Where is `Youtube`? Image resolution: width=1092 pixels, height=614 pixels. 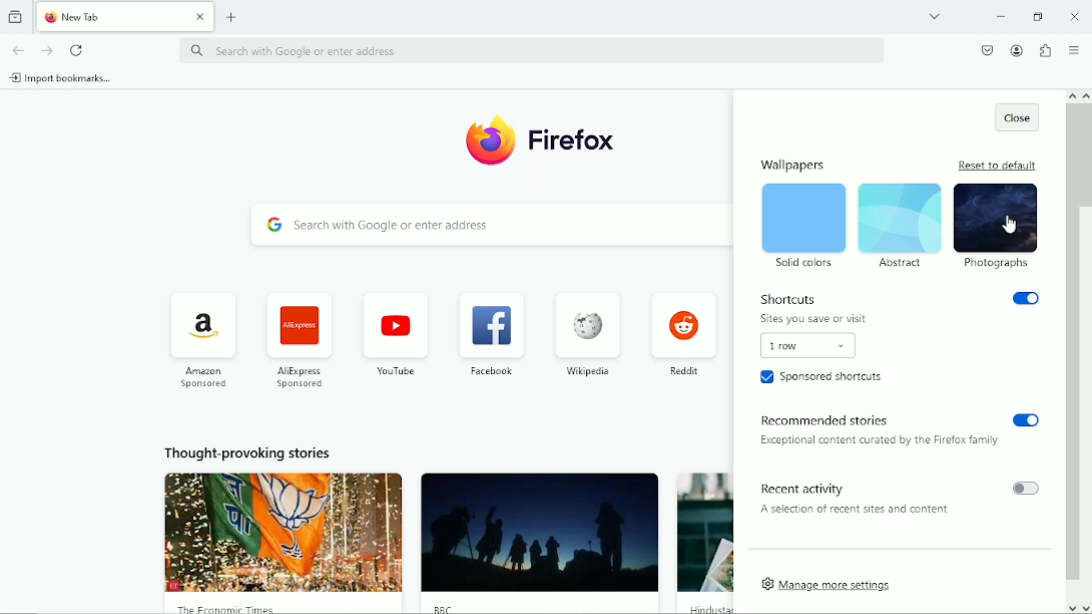 Youtube is located at coordinates (393, 333).